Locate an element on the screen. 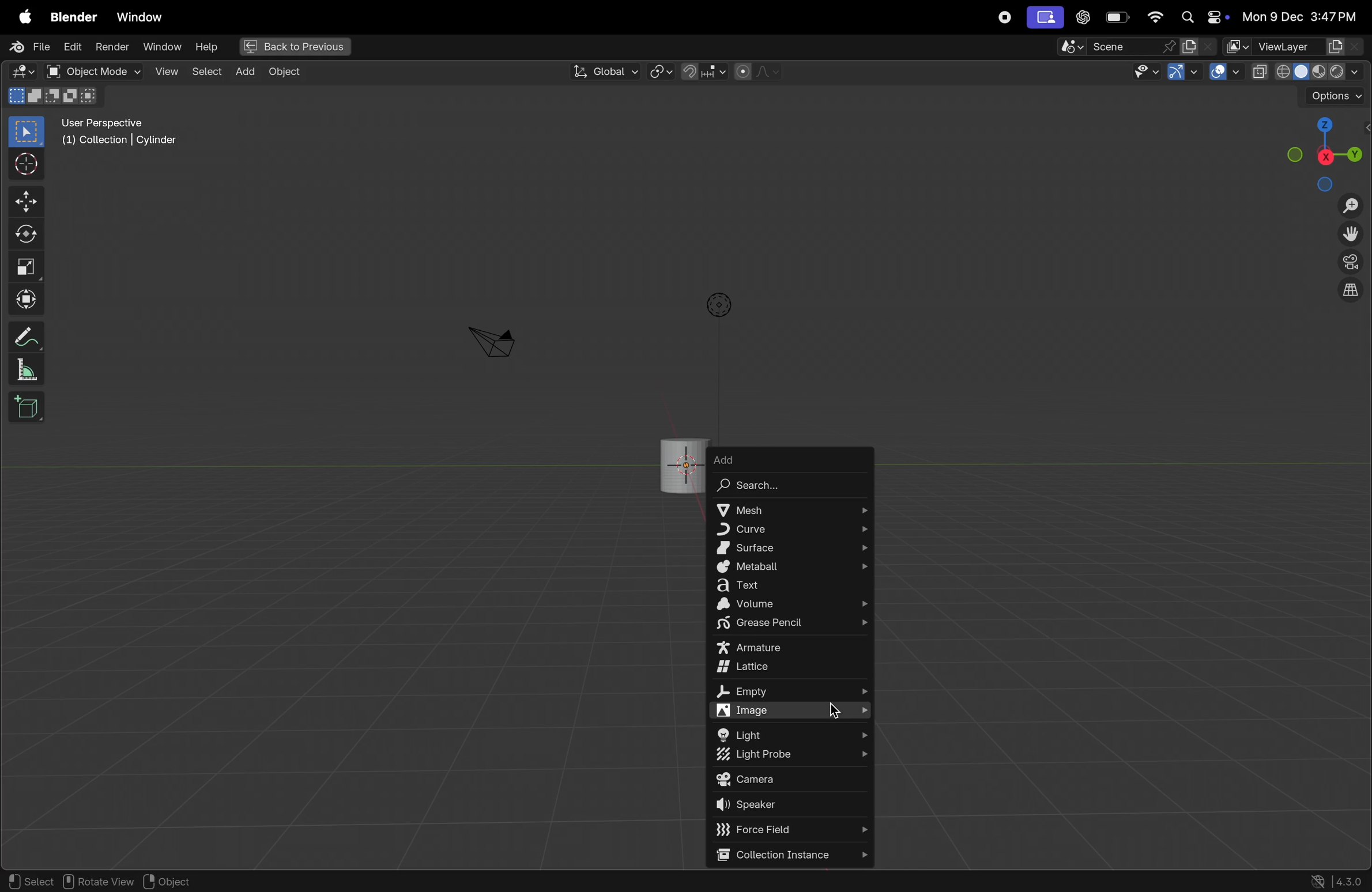  user perspective is located at coordinates (123, 134).